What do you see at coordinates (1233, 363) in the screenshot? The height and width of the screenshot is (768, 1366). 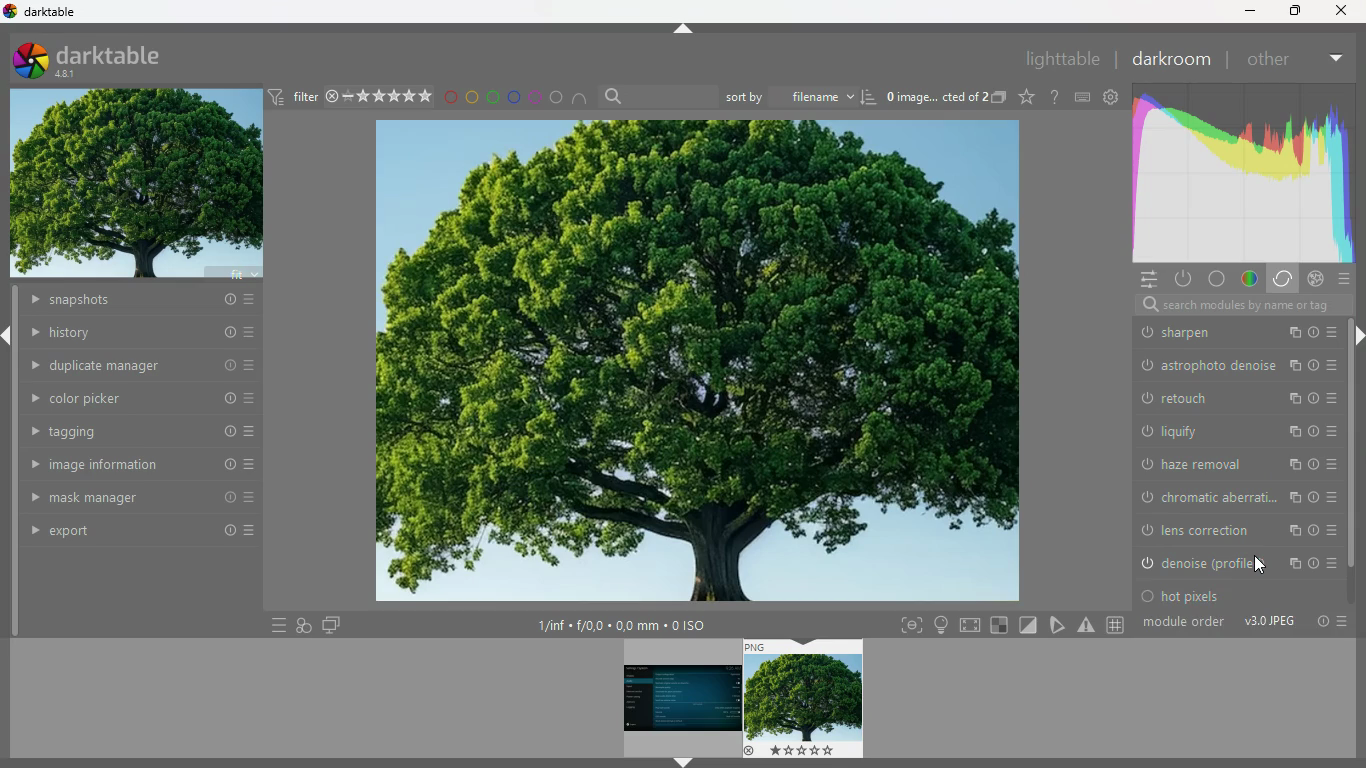 I see `detail` at bounding box center [1233, 363].